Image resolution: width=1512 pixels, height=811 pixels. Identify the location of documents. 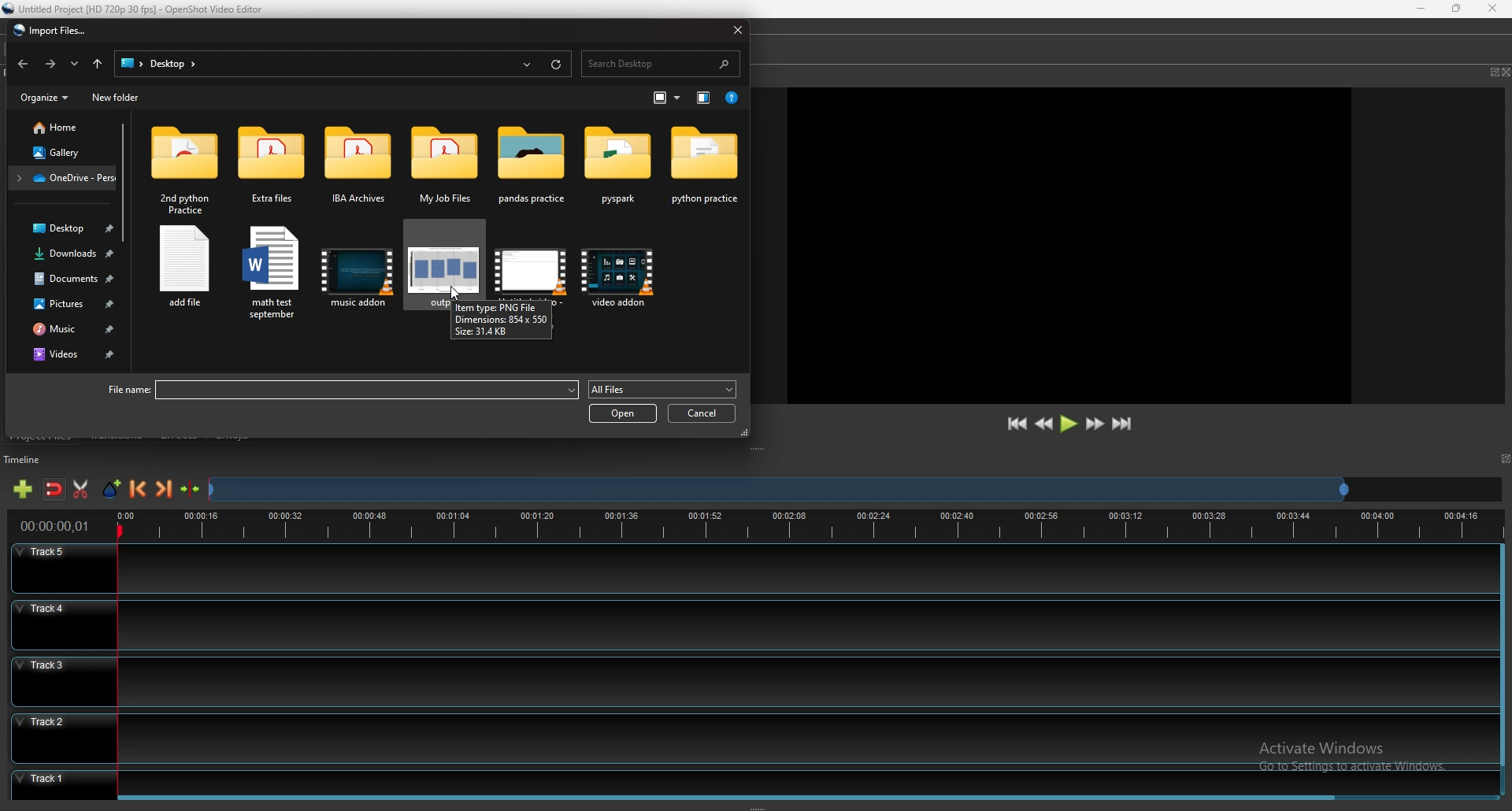
(68, 278).